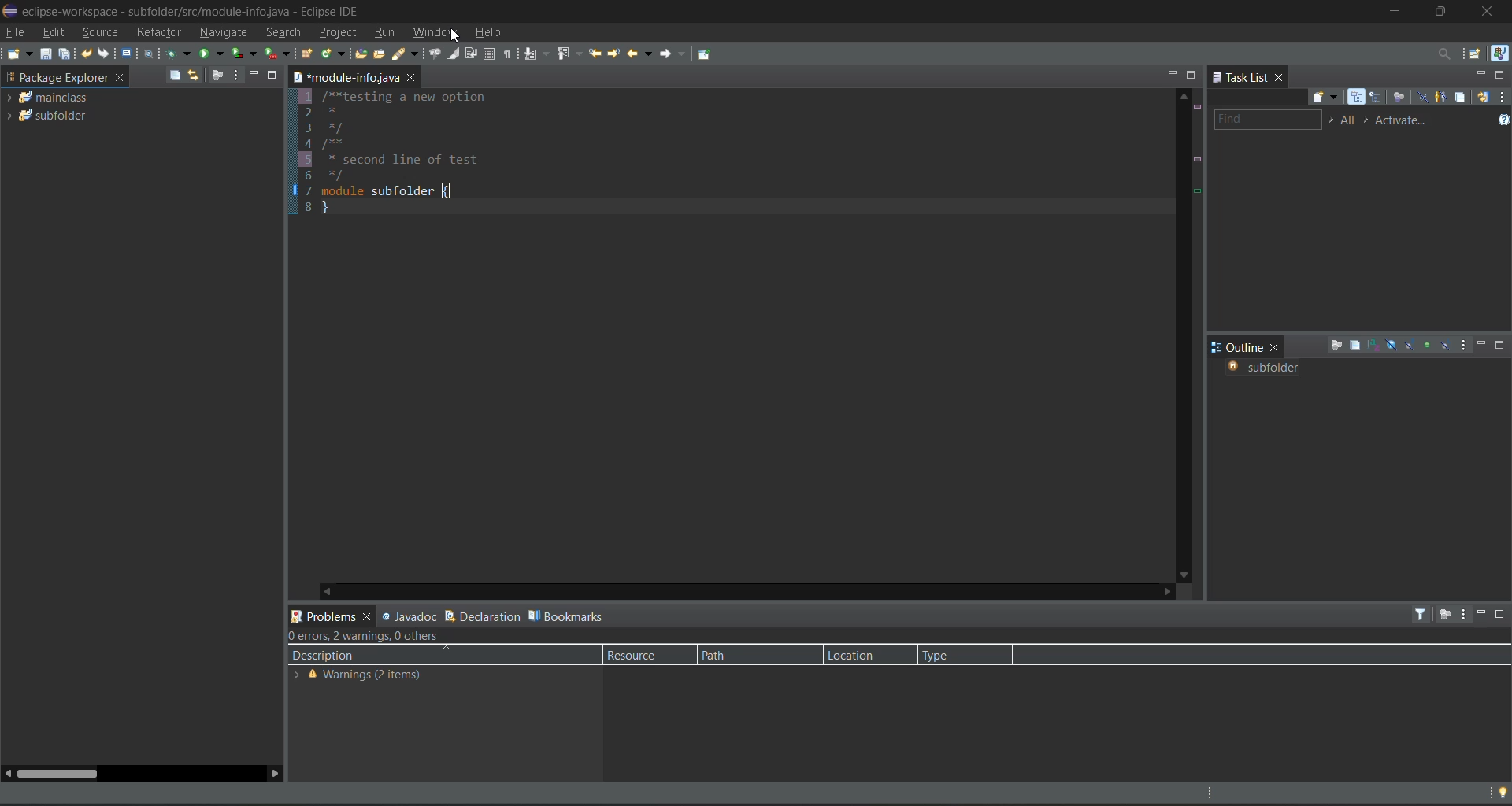  What do you see at coordinates (675, 57) in the screenshot?
I see `forward` at bounding box center [675, 57].